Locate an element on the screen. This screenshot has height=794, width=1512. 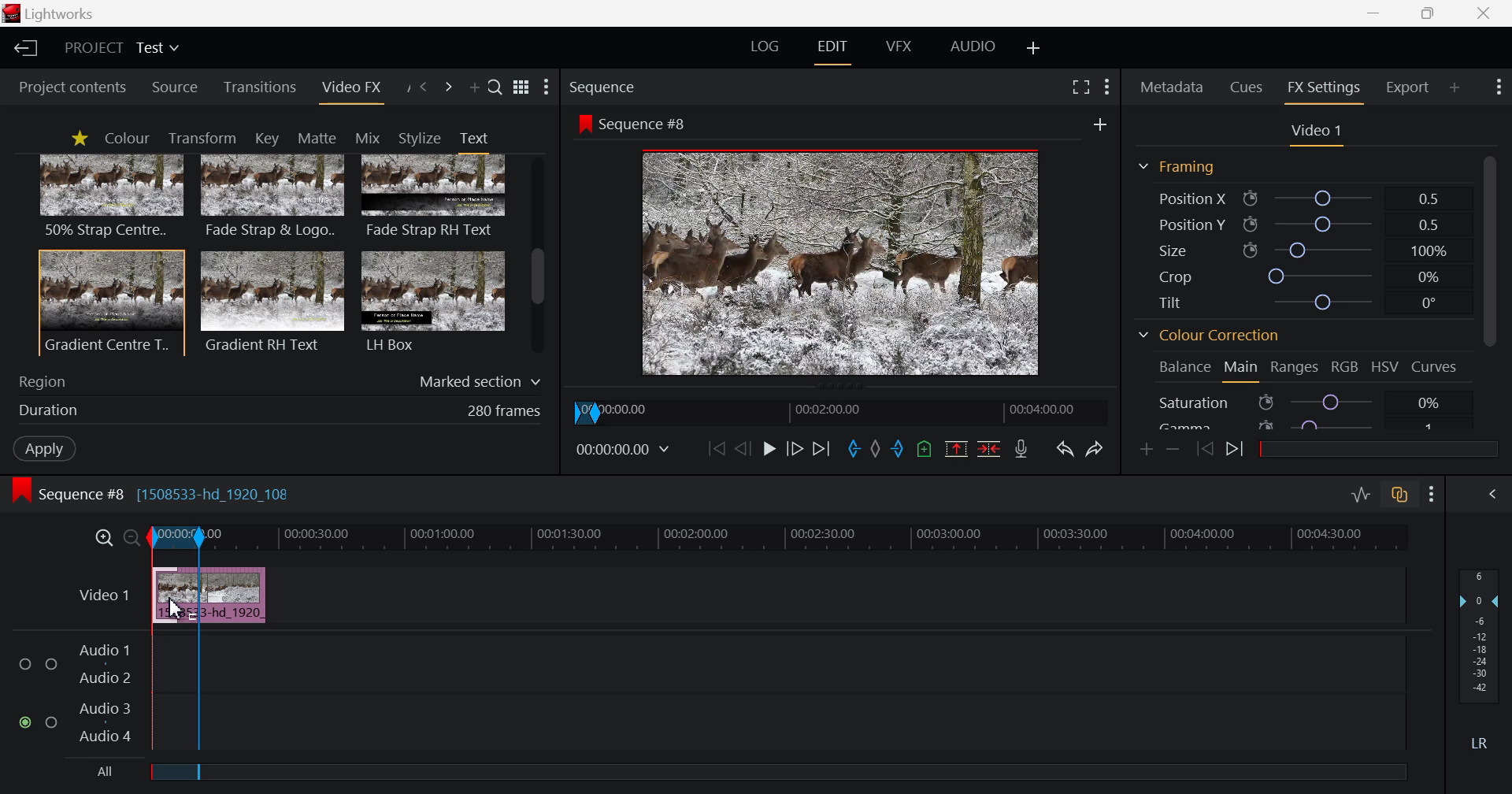
HSV is located at coordinates (1388, 368).